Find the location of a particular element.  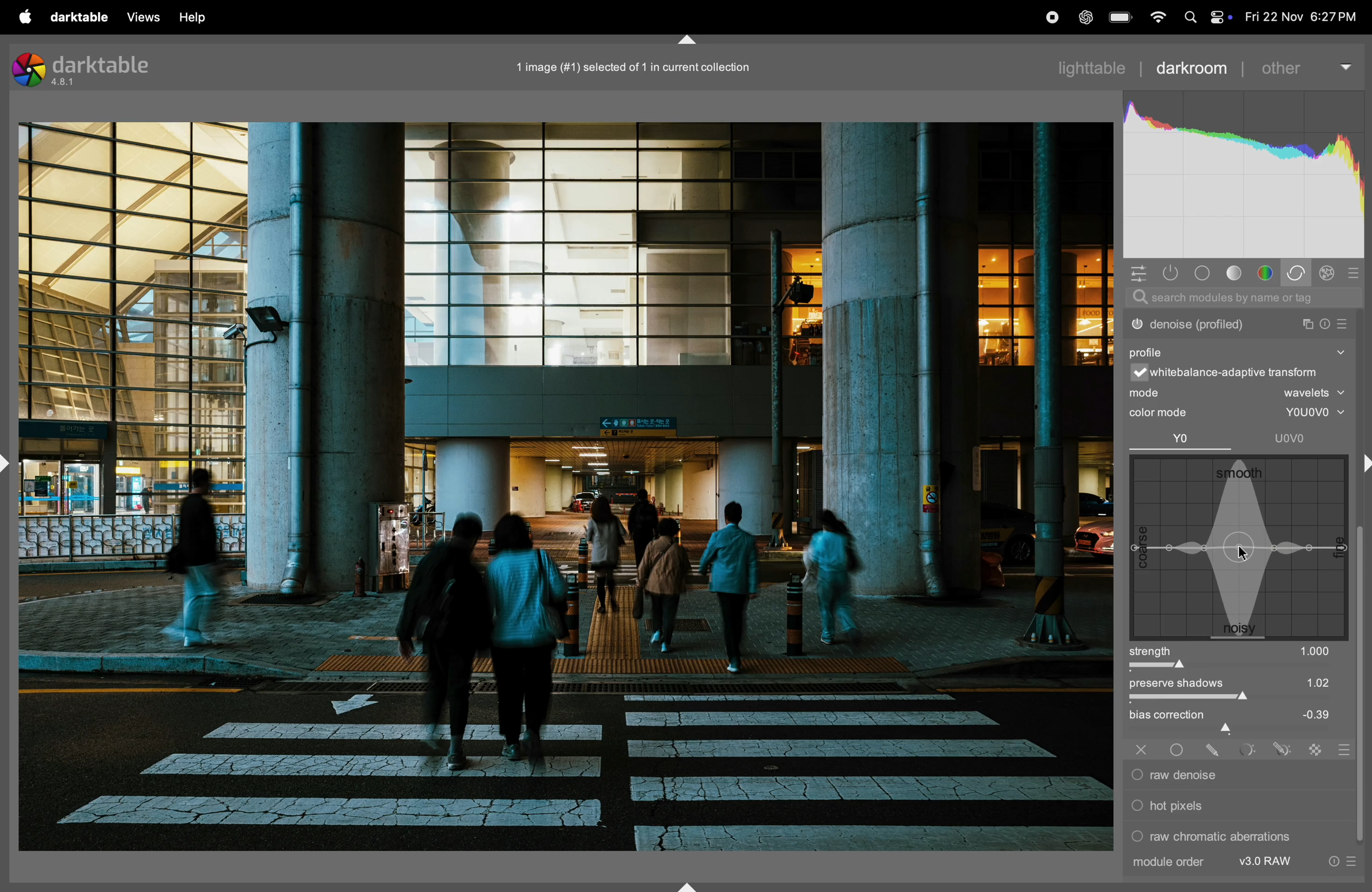

reset is located at coordinates (1336, 861).